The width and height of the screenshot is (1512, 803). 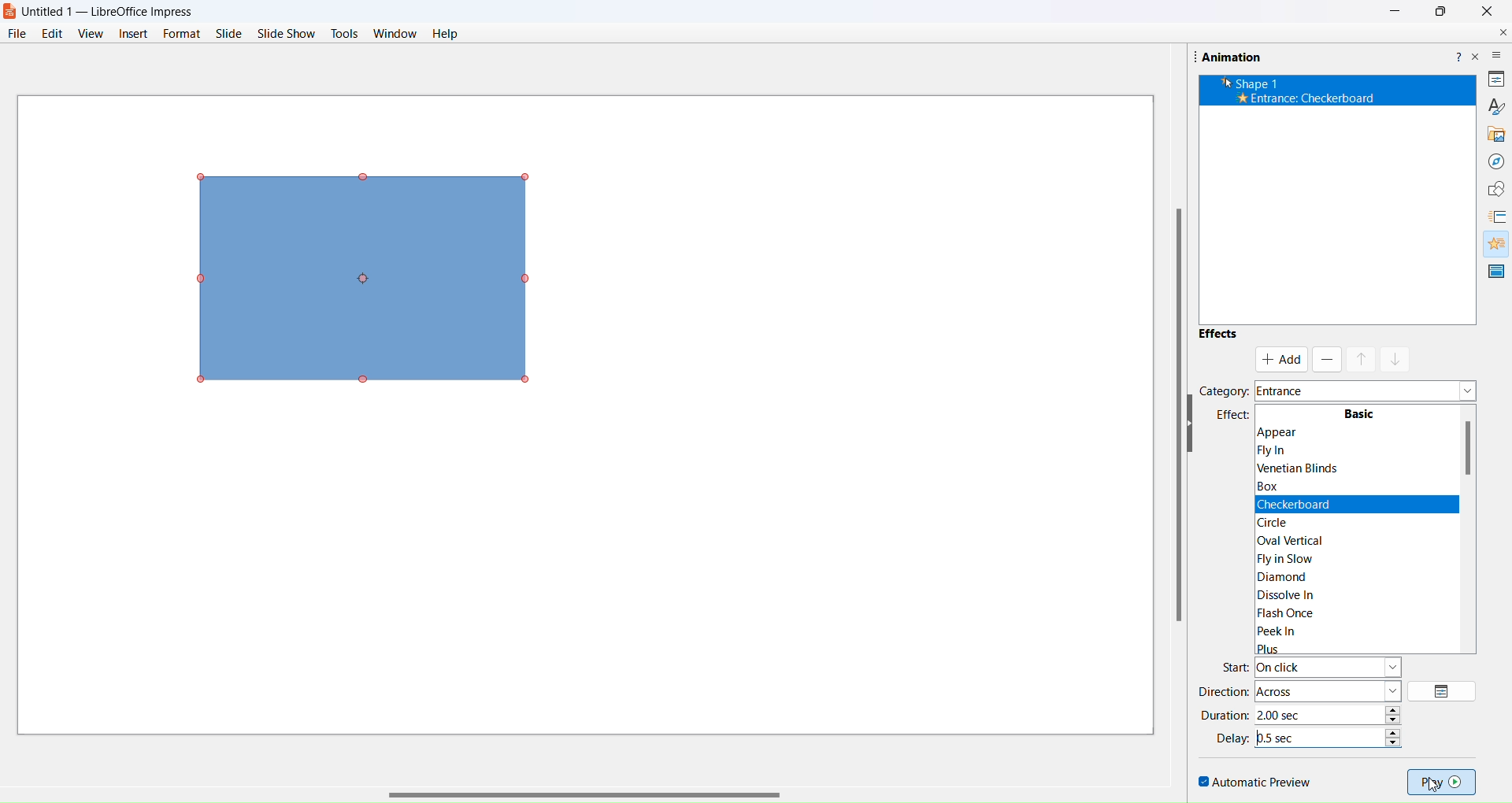 I want to click on Maximise, so click(x=1438, y=13).